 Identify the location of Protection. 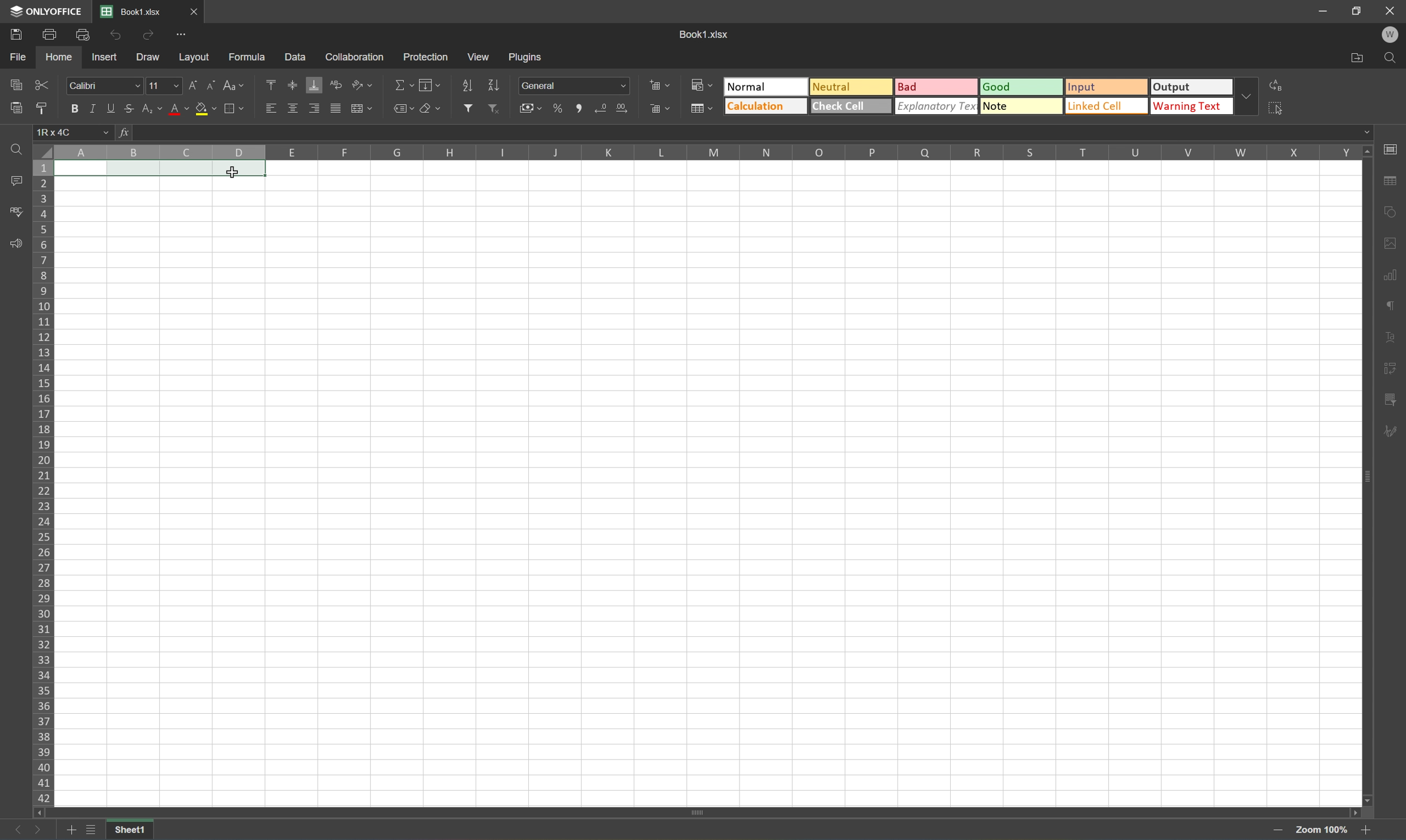
(425, 57).